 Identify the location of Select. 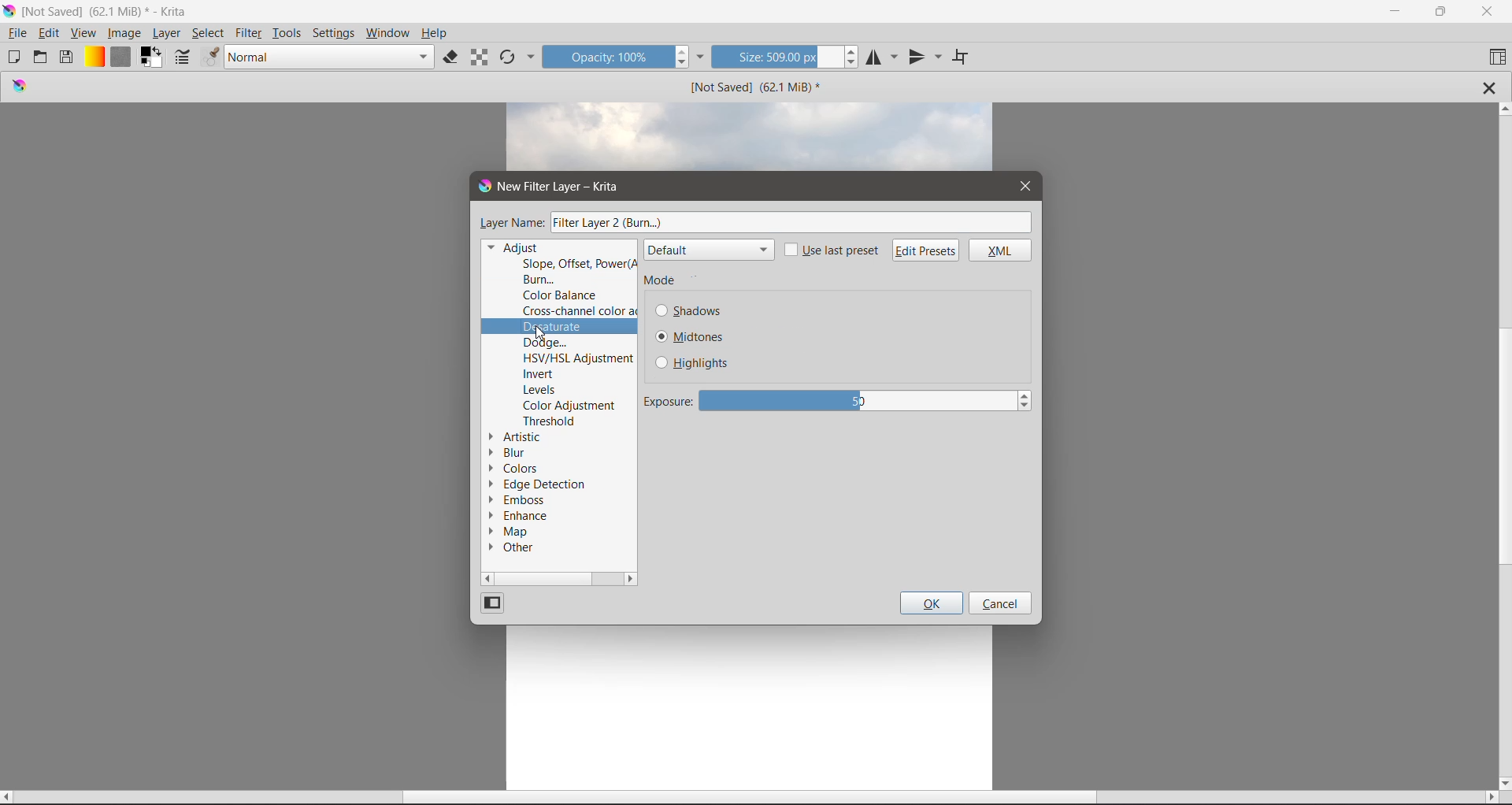
(207, 33).